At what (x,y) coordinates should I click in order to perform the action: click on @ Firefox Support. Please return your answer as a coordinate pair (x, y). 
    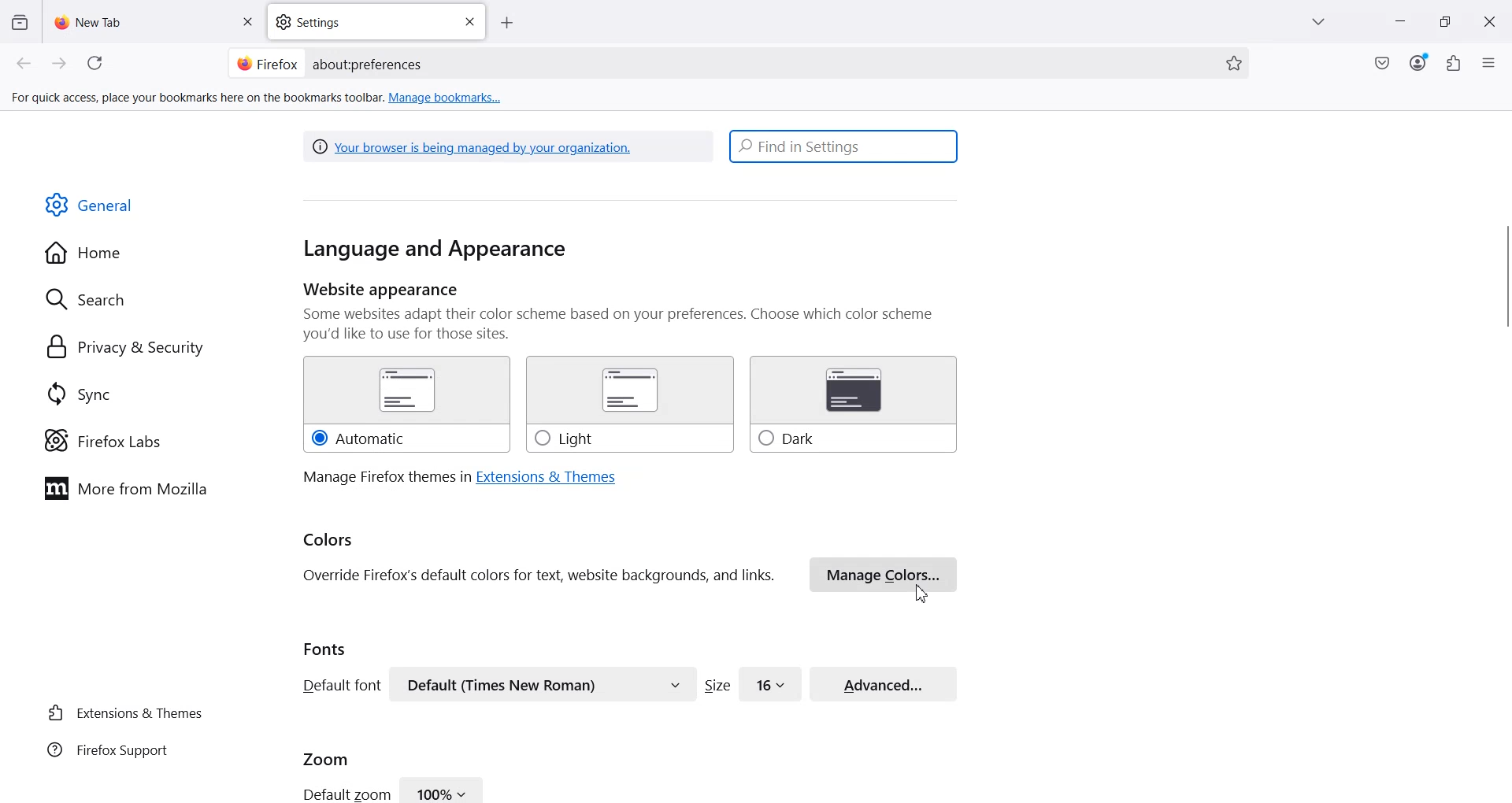
    Looking at the image, I should click on (108, 749).